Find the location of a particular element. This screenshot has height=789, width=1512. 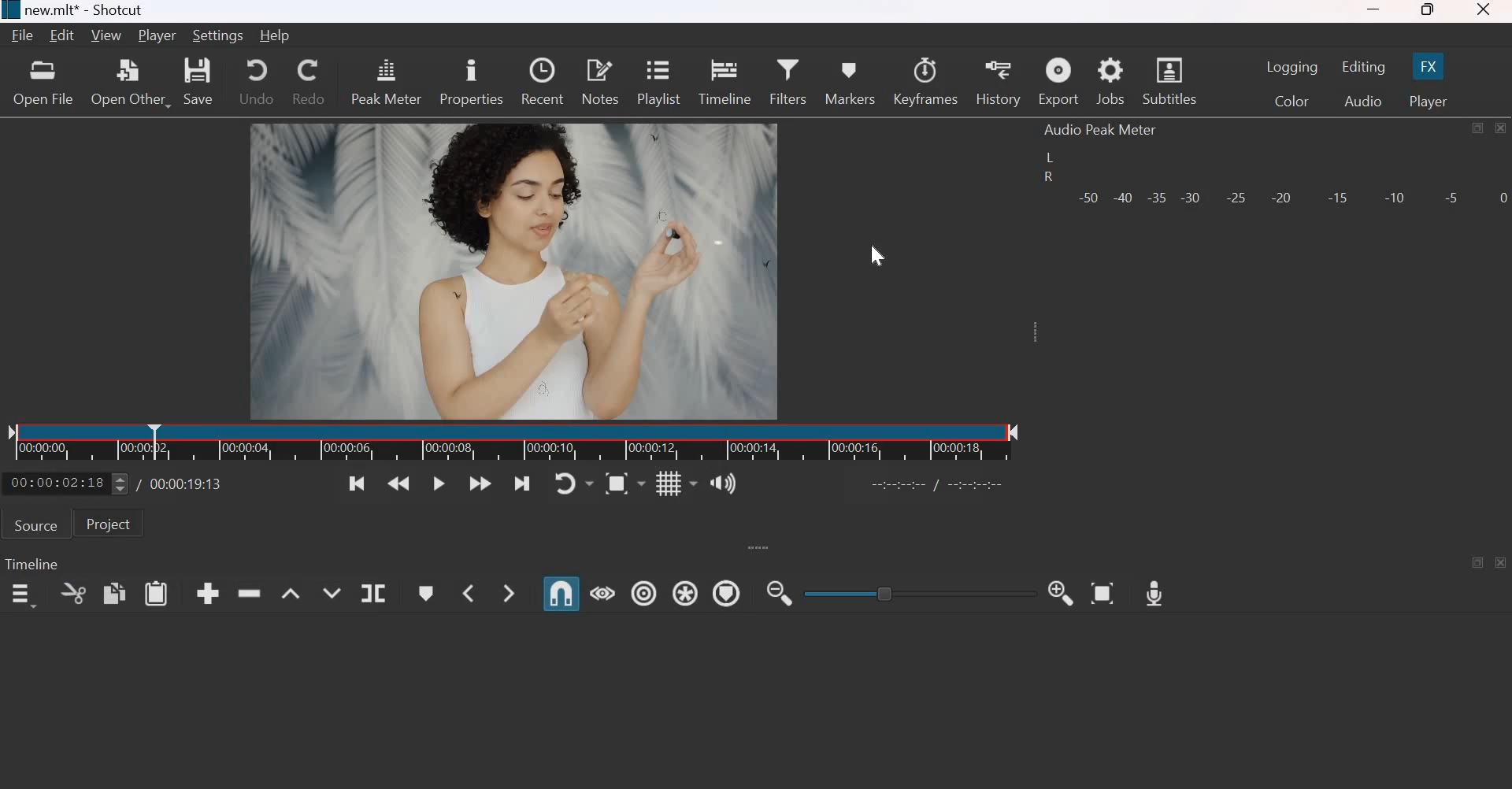

Show the volume control is located at coordinates (722, 484).